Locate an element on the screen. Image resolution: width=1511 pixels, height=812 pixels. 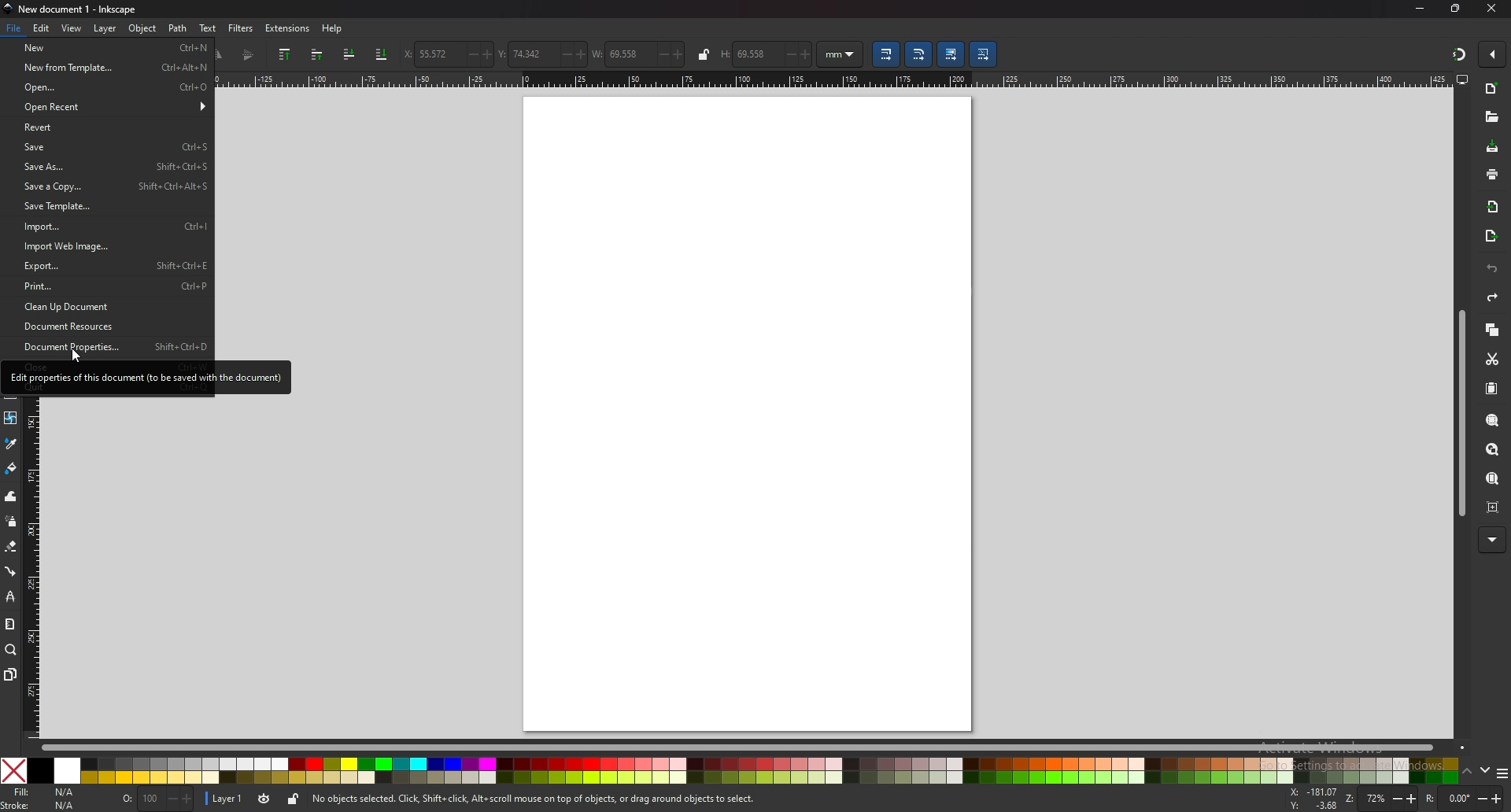
Object is located at coordinates (142, 28).